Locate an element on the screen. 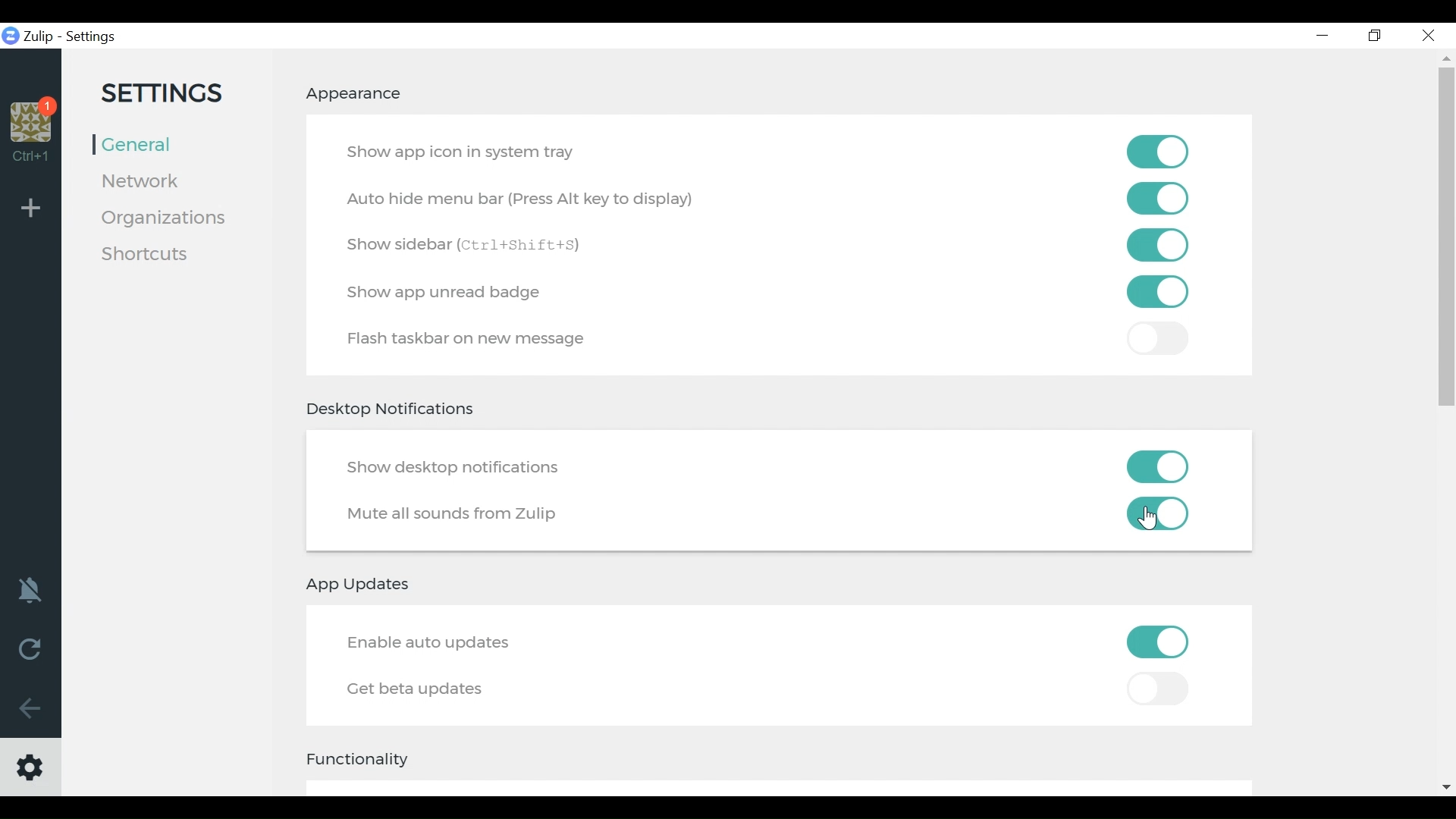 This screenshot has width=1456, height=819. Appearance is located at coordinates (356, 94).